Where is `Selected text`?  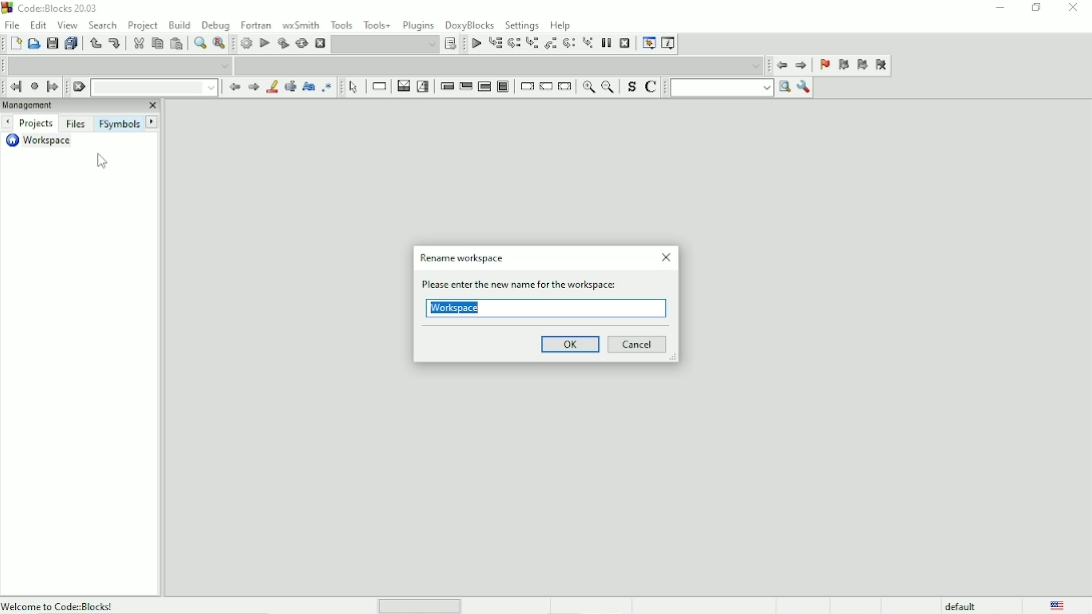 Selected text is located at coordinates (289, 87).